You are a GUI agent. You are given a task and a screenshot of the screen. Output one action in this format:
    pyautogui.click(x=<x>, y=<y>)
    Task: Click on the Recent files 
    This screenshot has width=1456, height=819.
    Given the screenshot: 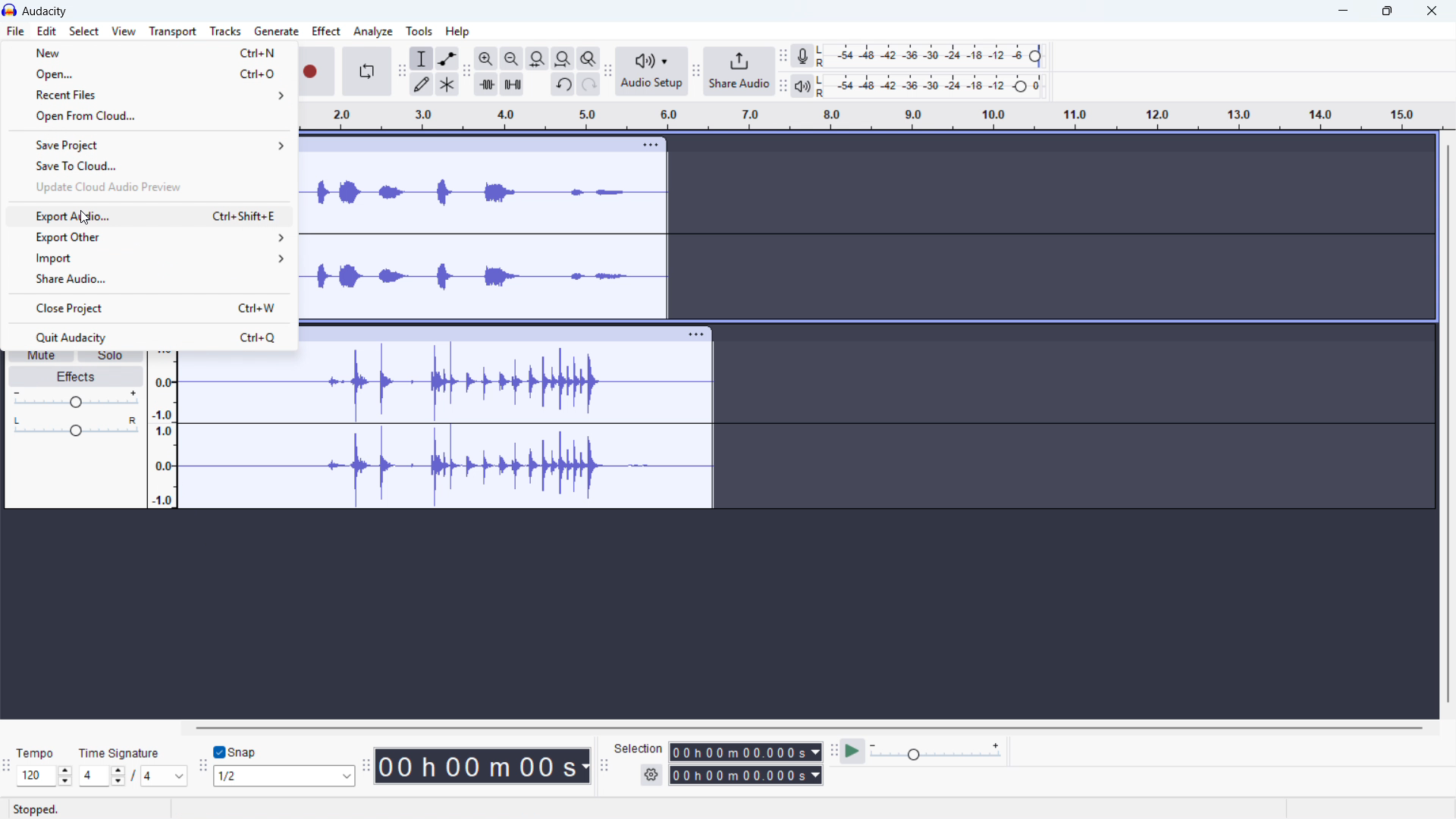 What is the action you would take?
    pyautogui.click(x=149, y=93)
    